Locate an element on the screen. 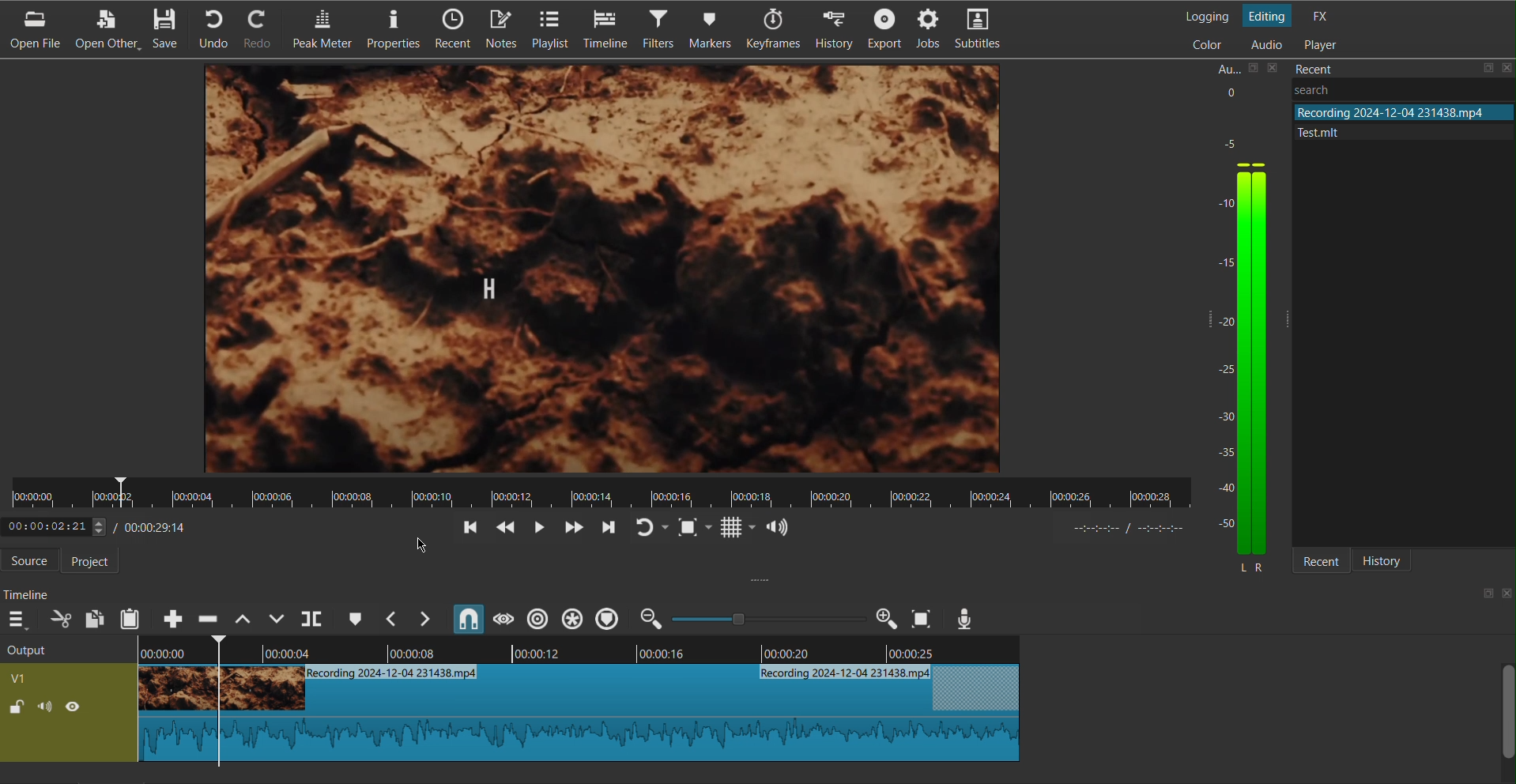 The height and width of the screenshot is (784, 1516). Cut is located at coordinates (215, 703).